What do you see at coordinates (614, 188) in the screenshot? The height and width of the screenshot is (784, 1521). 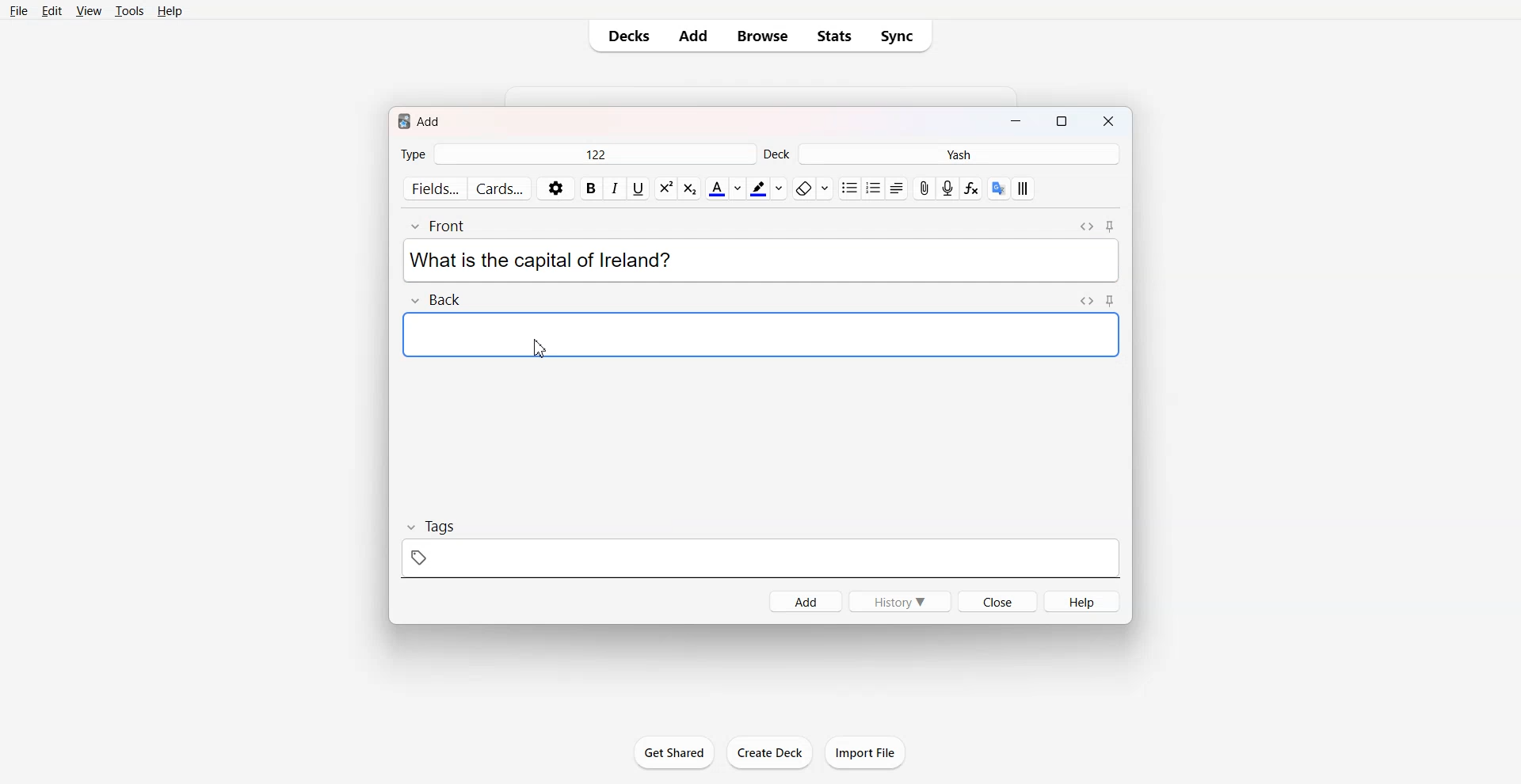 I see `Italic` at bounding box center [614, 188].